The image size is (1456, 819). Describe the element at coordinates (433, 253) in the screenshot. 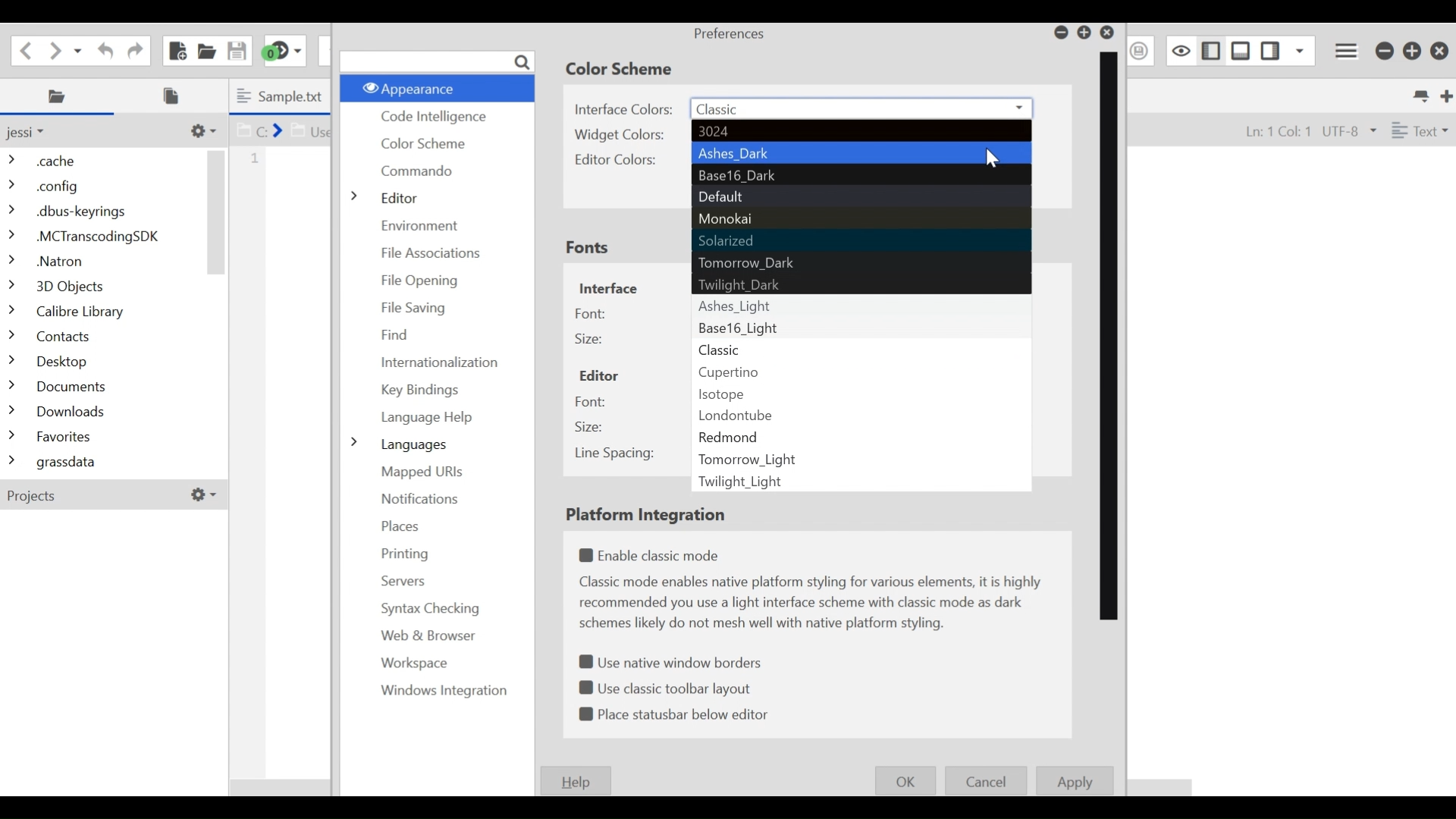

I see `File Association` at that location.